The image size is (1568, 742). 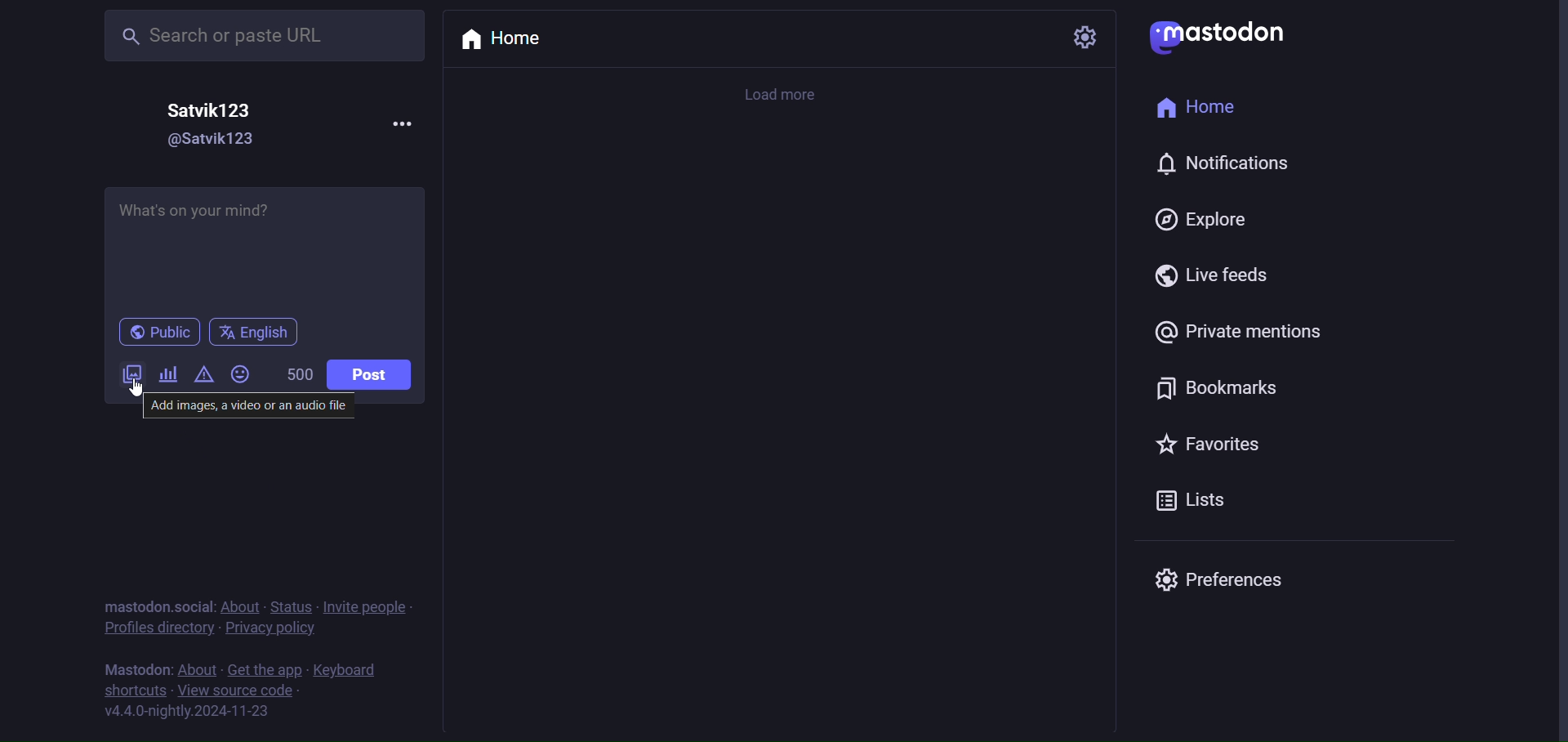 I want to click on mastodon, so click(x=135, y=670).